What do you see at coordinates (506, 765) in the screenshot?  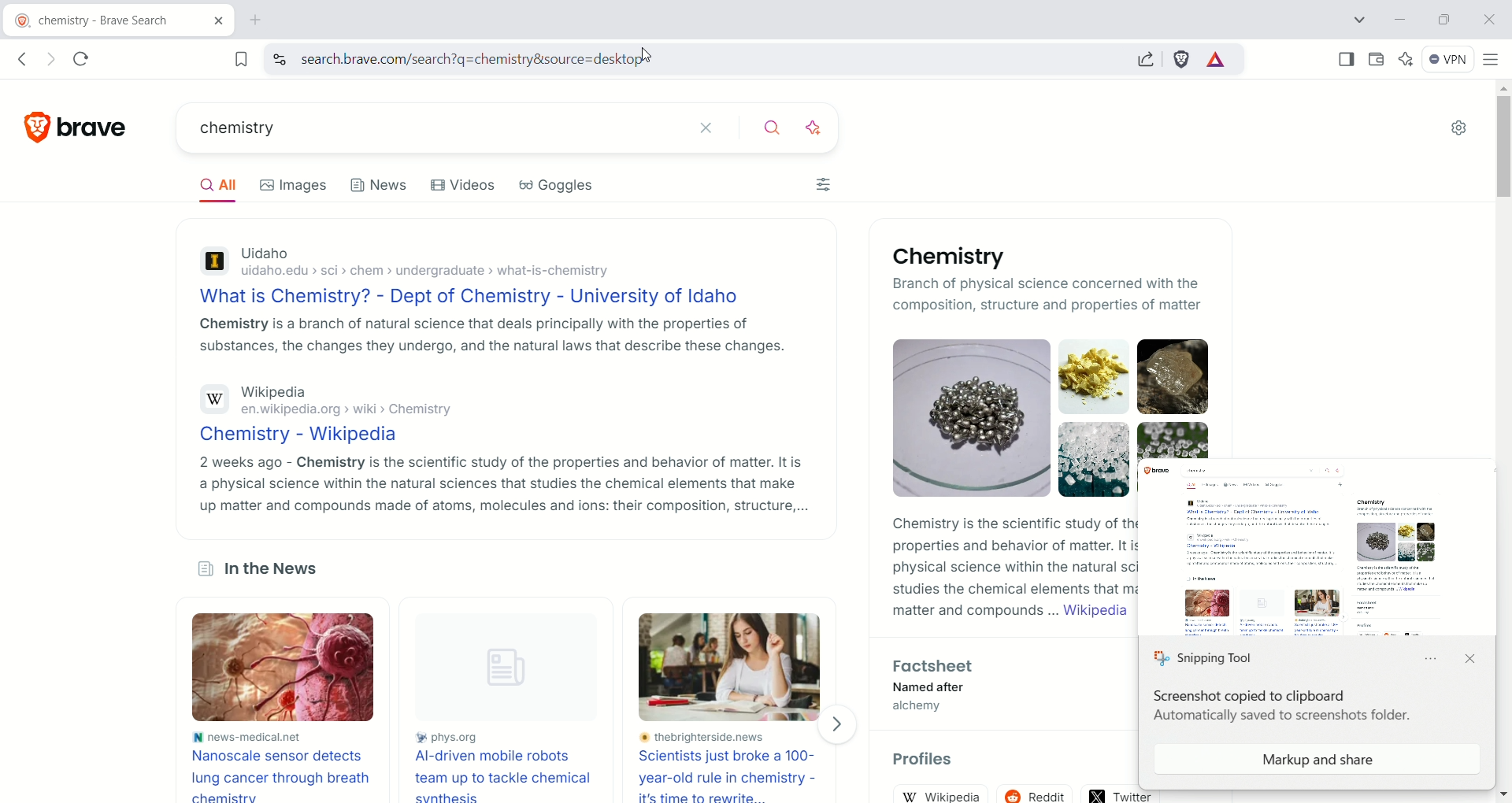 I see `phys.org AI-driven mobile robots team up to tackle chemical synthesis` at bounding box center [506, 765].